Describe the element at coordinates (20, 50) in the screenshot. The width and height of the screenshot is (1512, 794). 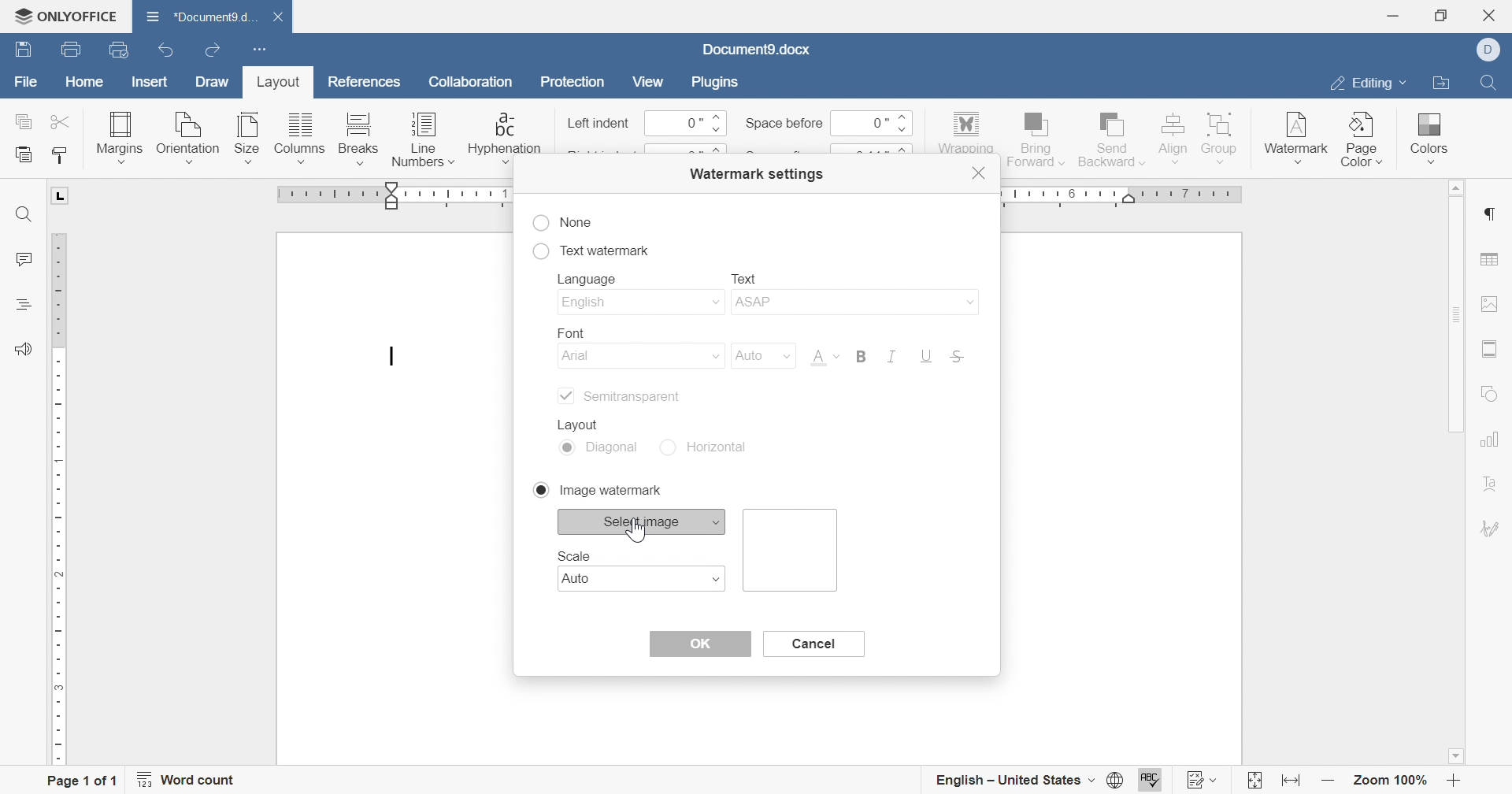
I see `save` at that location.